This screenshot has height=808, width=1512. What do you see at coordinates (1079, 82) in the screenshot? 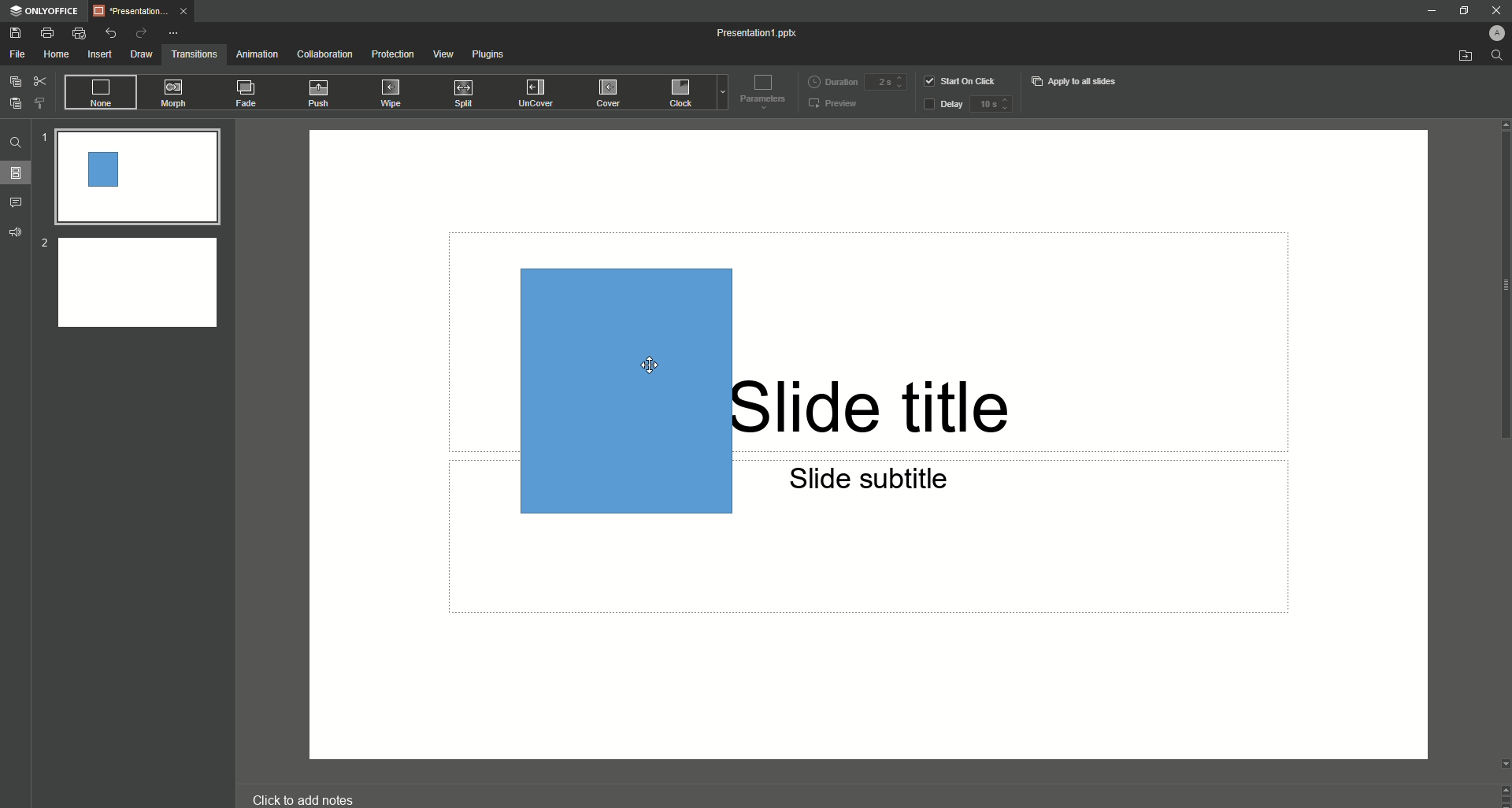
I see `Apply to all slides` at bounding box center [1079, 82].